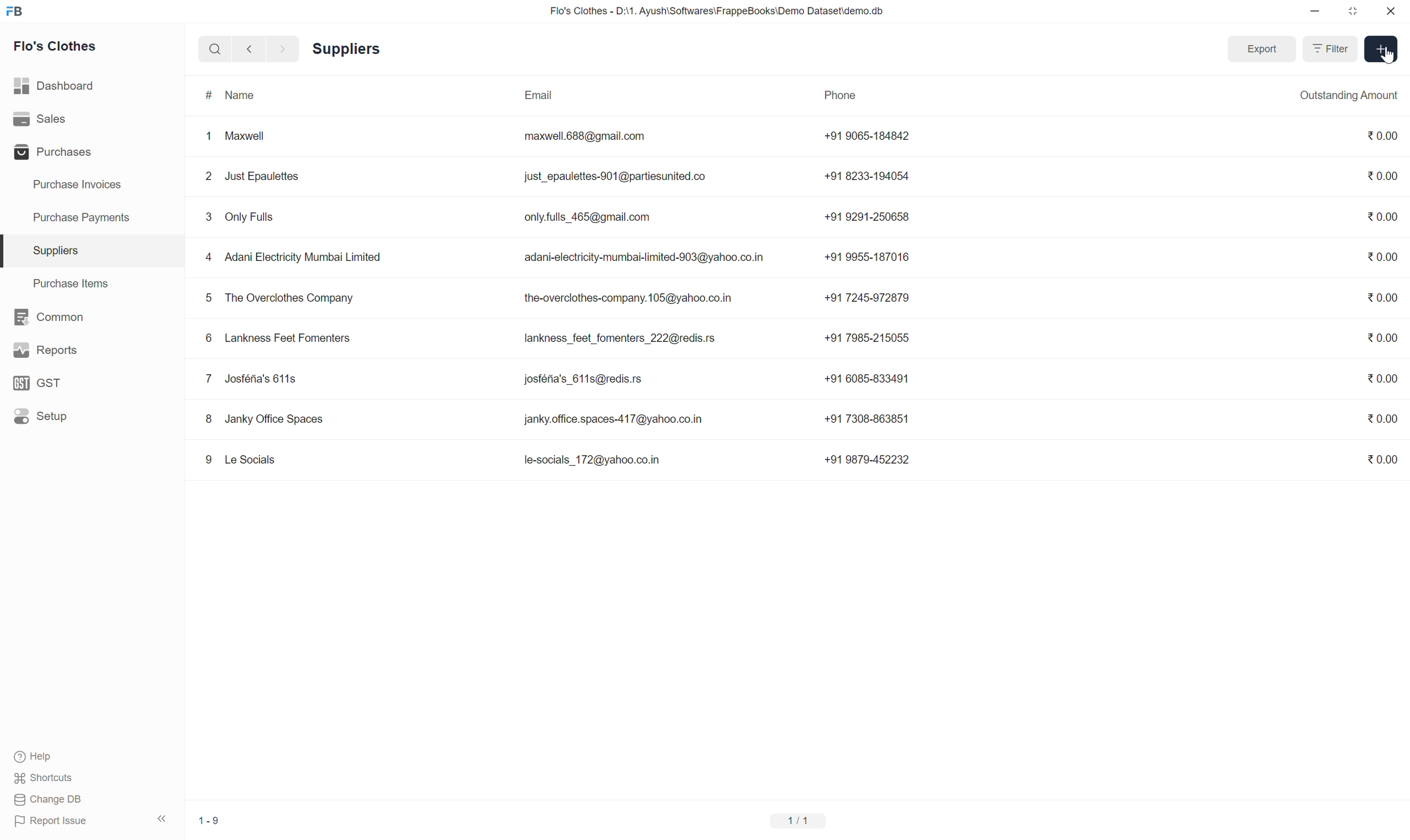 This screenshot has height=840, width=1410. I want to click on # Name, so click(335, 96).